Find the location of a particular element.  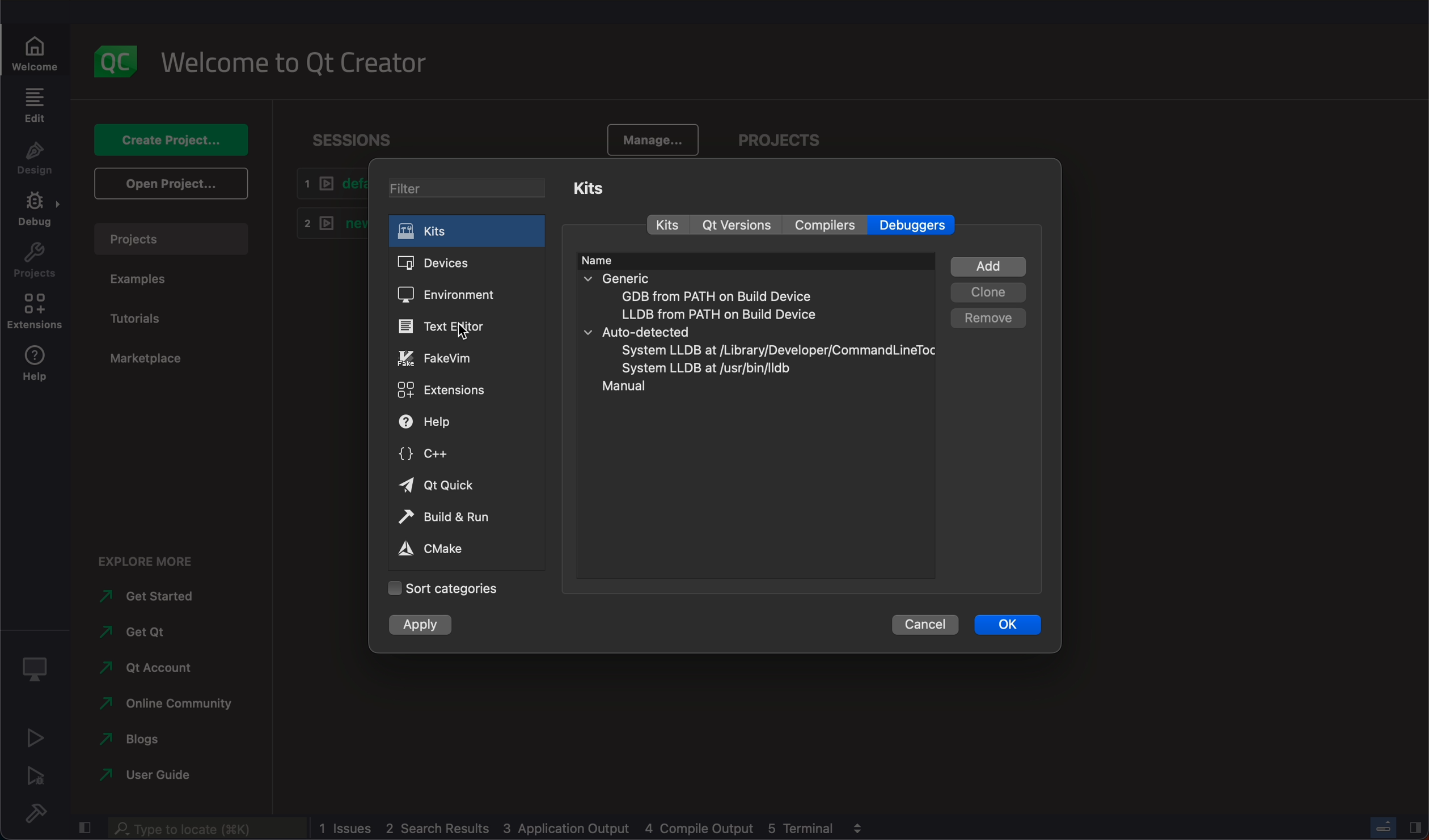

build and run is located at coordinates (466, 516).